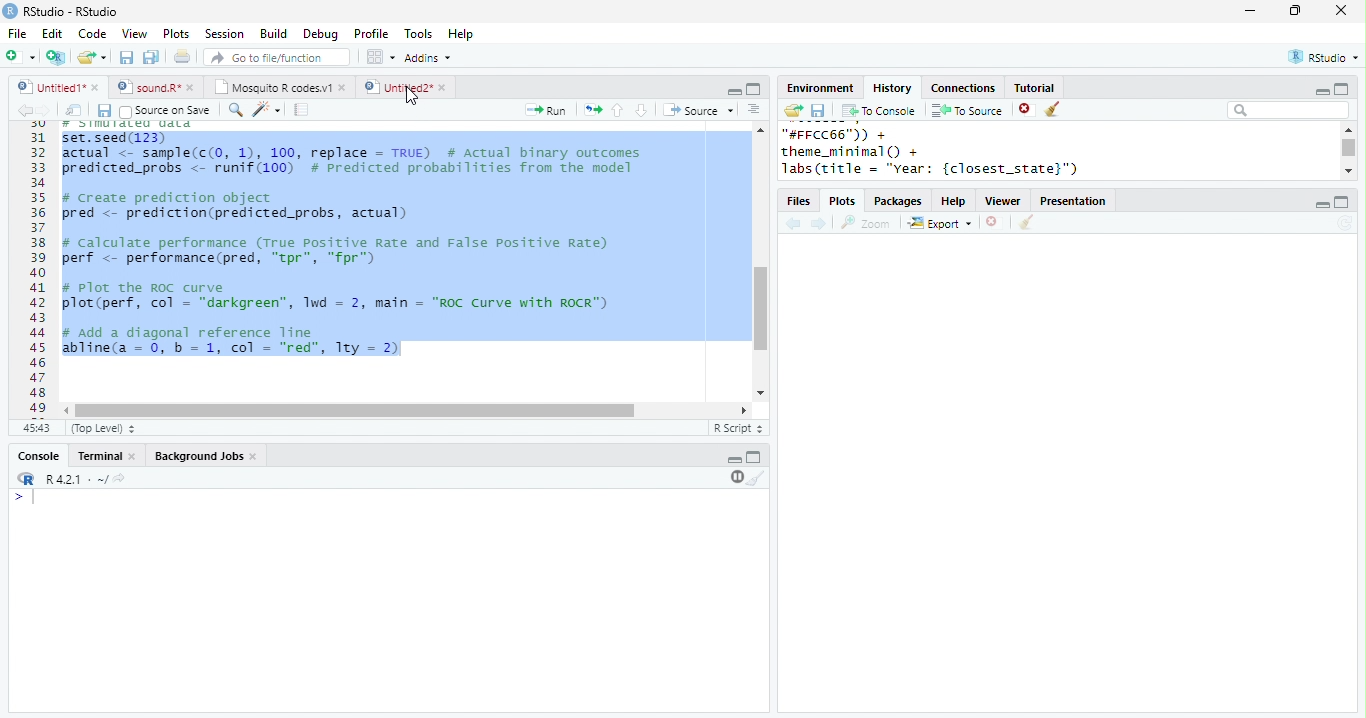 The image size is (1366, 718). Describe the element at coordinates (754, 456) in the screenshot. I see `maximize` at that location.